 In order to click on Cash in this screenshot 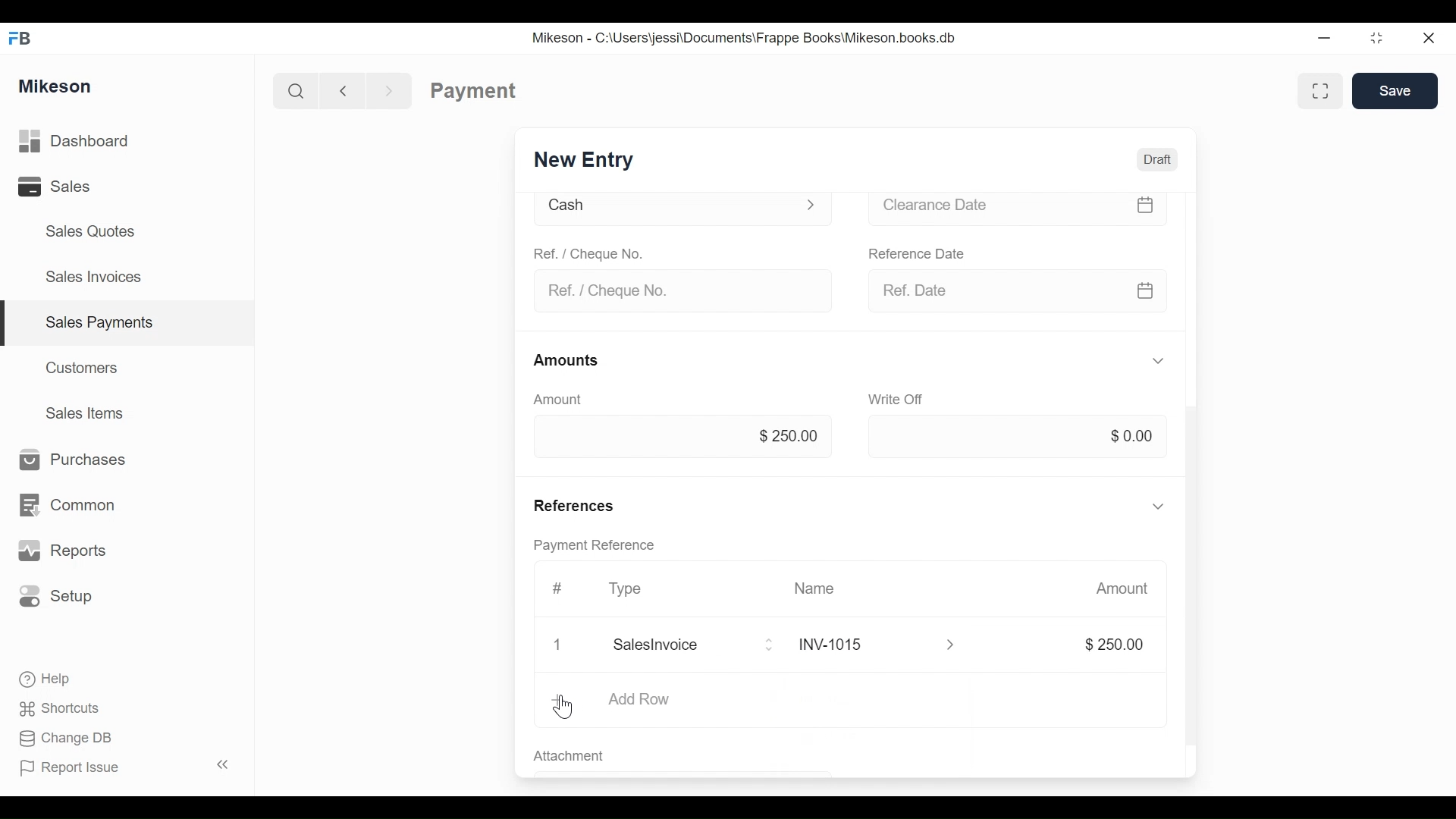, I will do `click(676, 209)`.